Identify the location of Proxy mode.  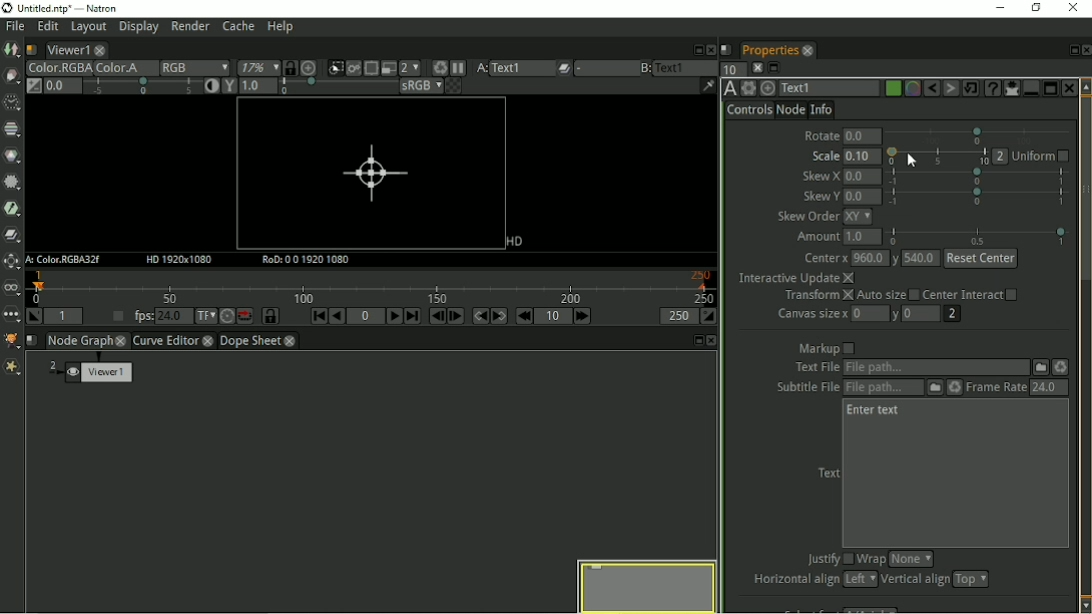
(389, 68).